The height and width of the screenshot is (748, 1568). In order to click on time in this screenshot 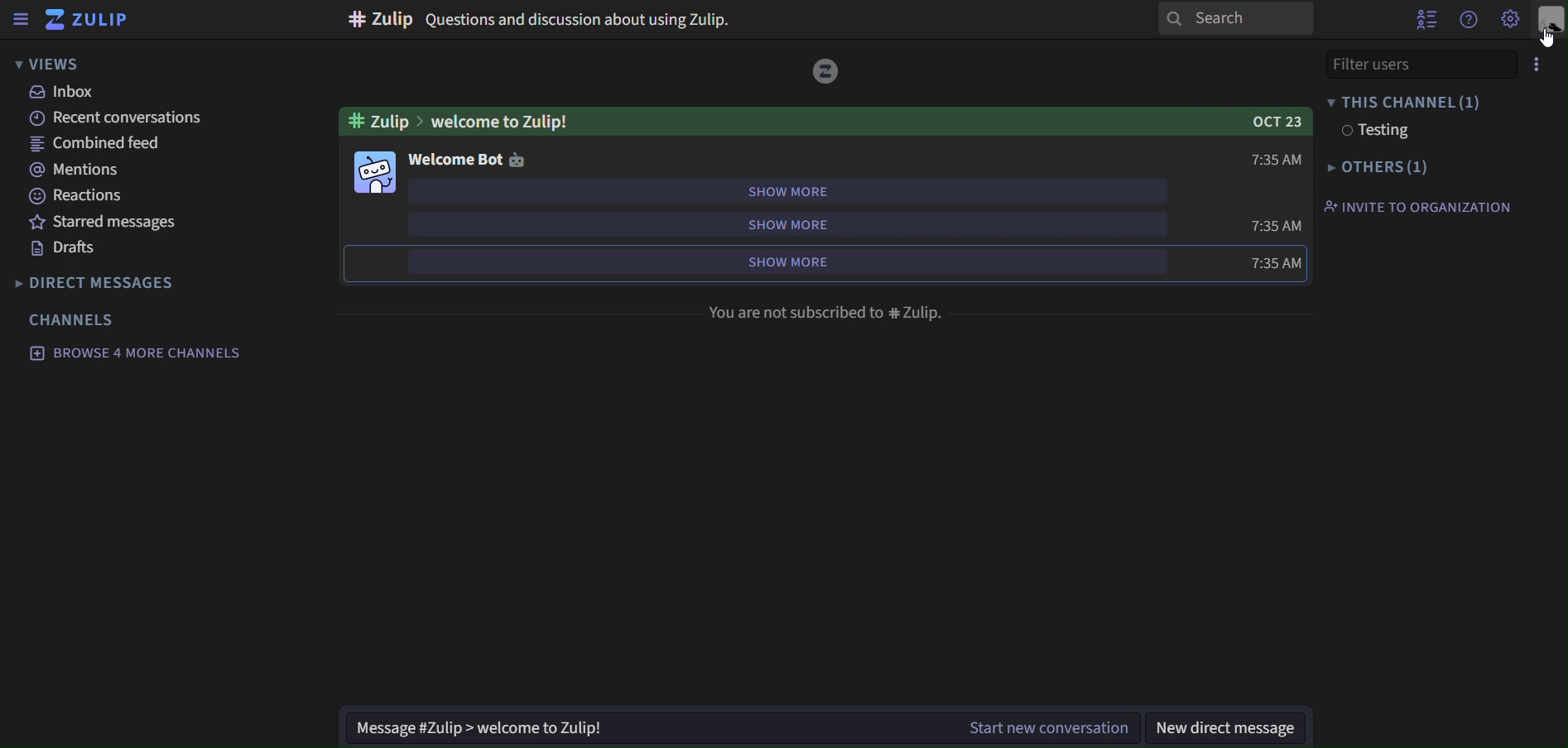, I will do `click(1278, 158)`.